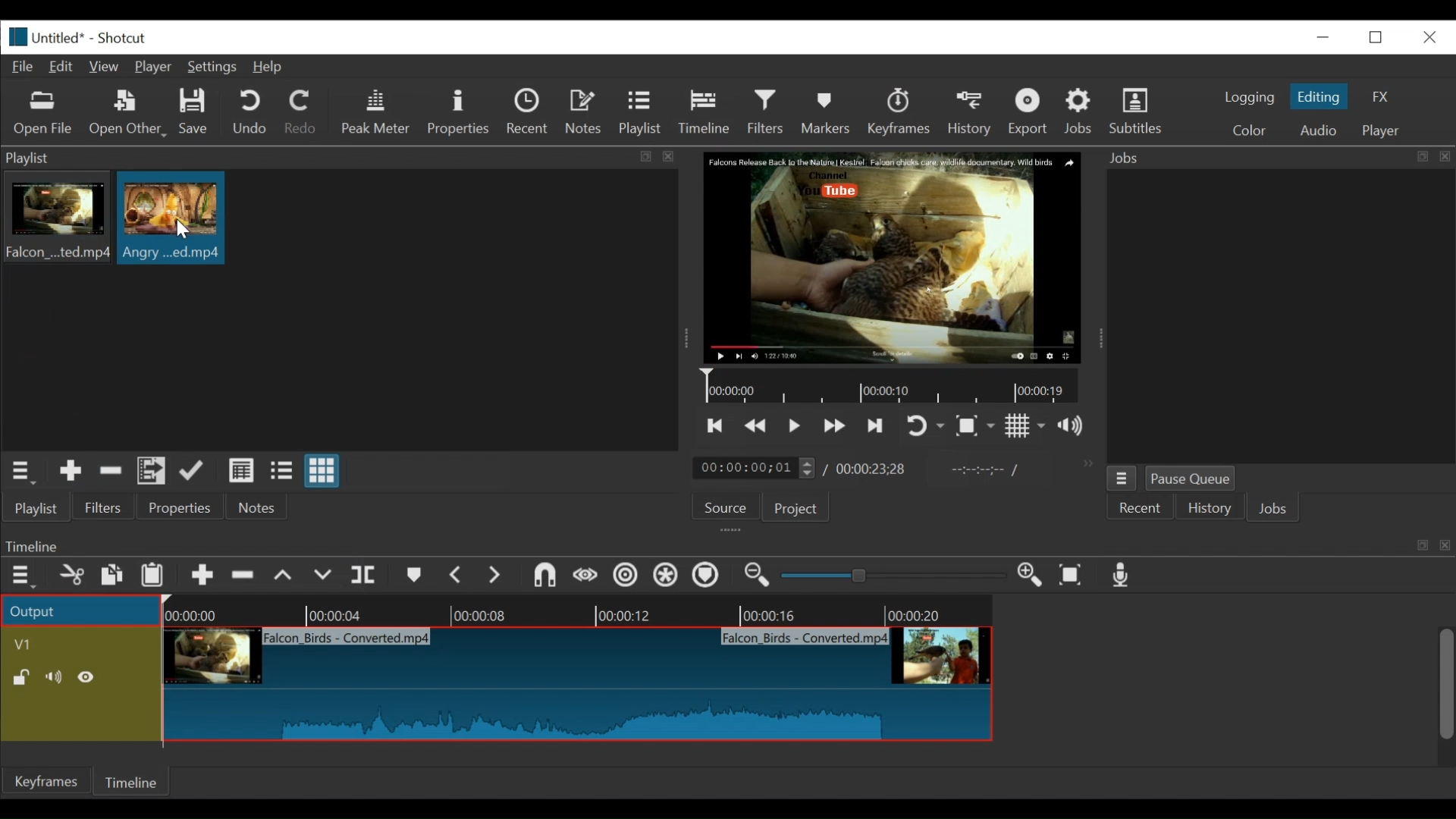 This screenshot has height=819, width=1456. Describe the element at coordinates (24, 470) in the screenshot. I see `playlist menu` at that location.